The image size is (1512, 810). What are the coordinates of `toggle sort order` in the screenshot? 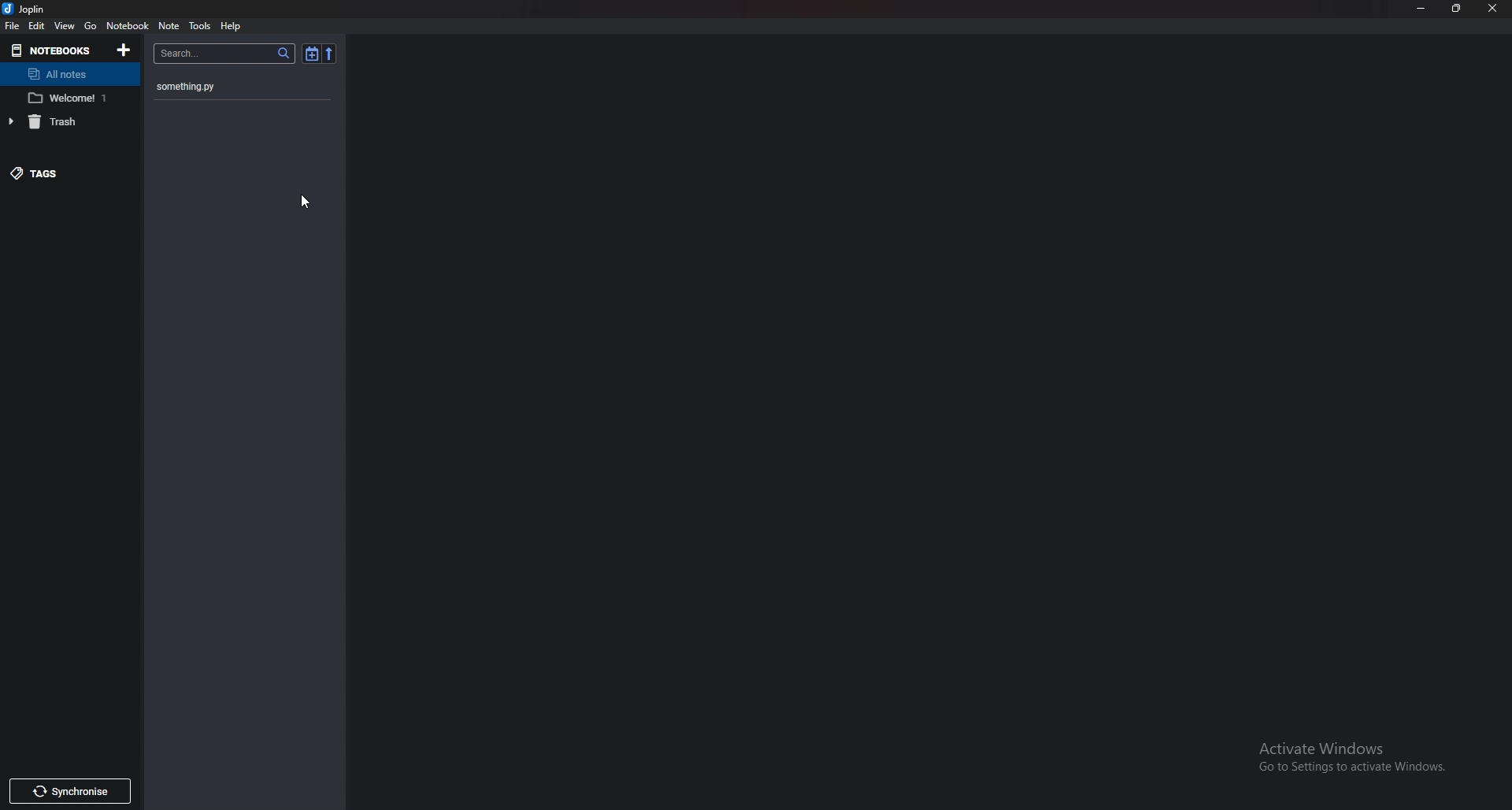 It's located at (311, 54).